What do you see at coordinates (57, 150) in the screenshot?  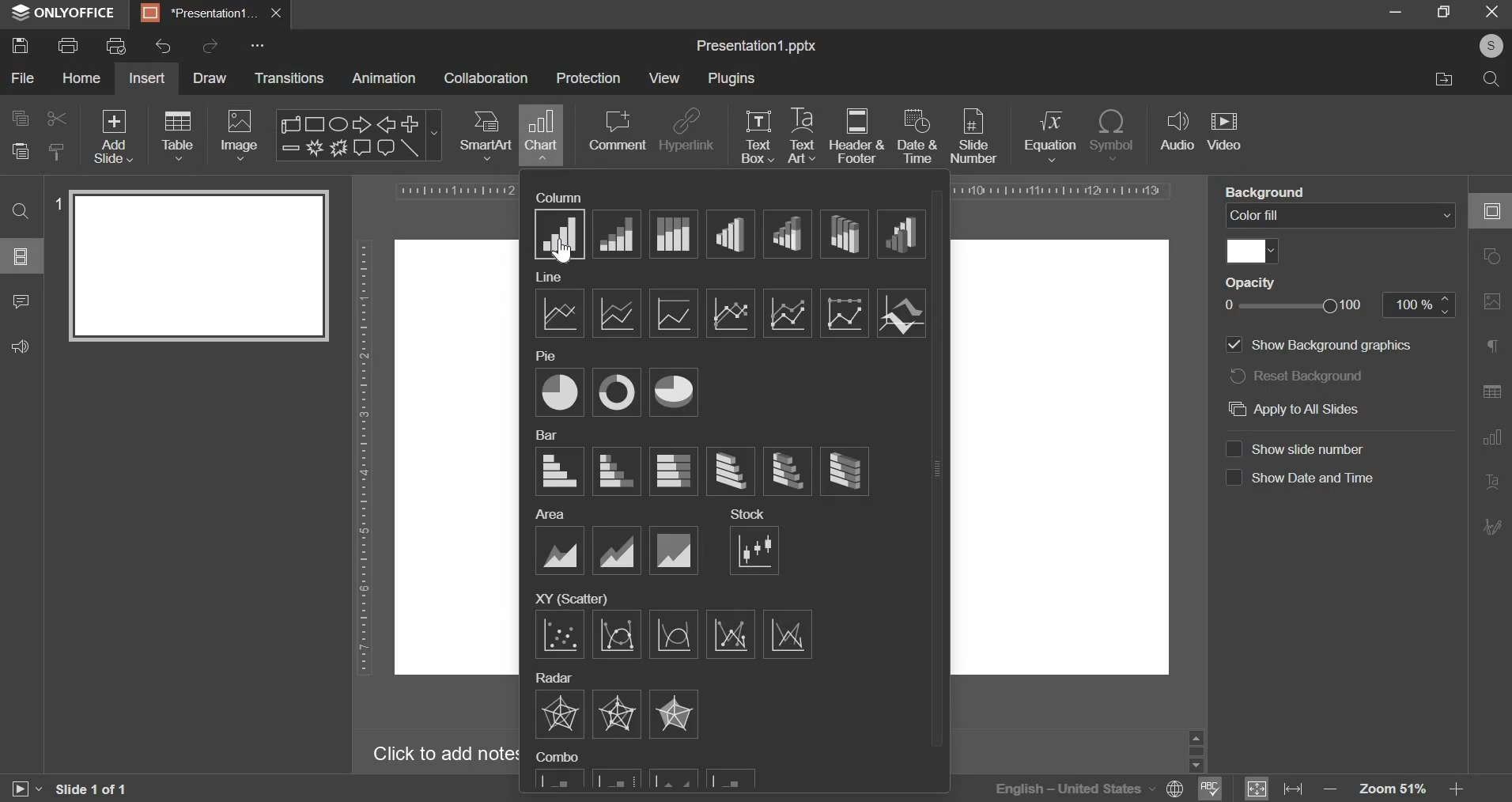 I see `copy style` at bounding box center [57, 150].